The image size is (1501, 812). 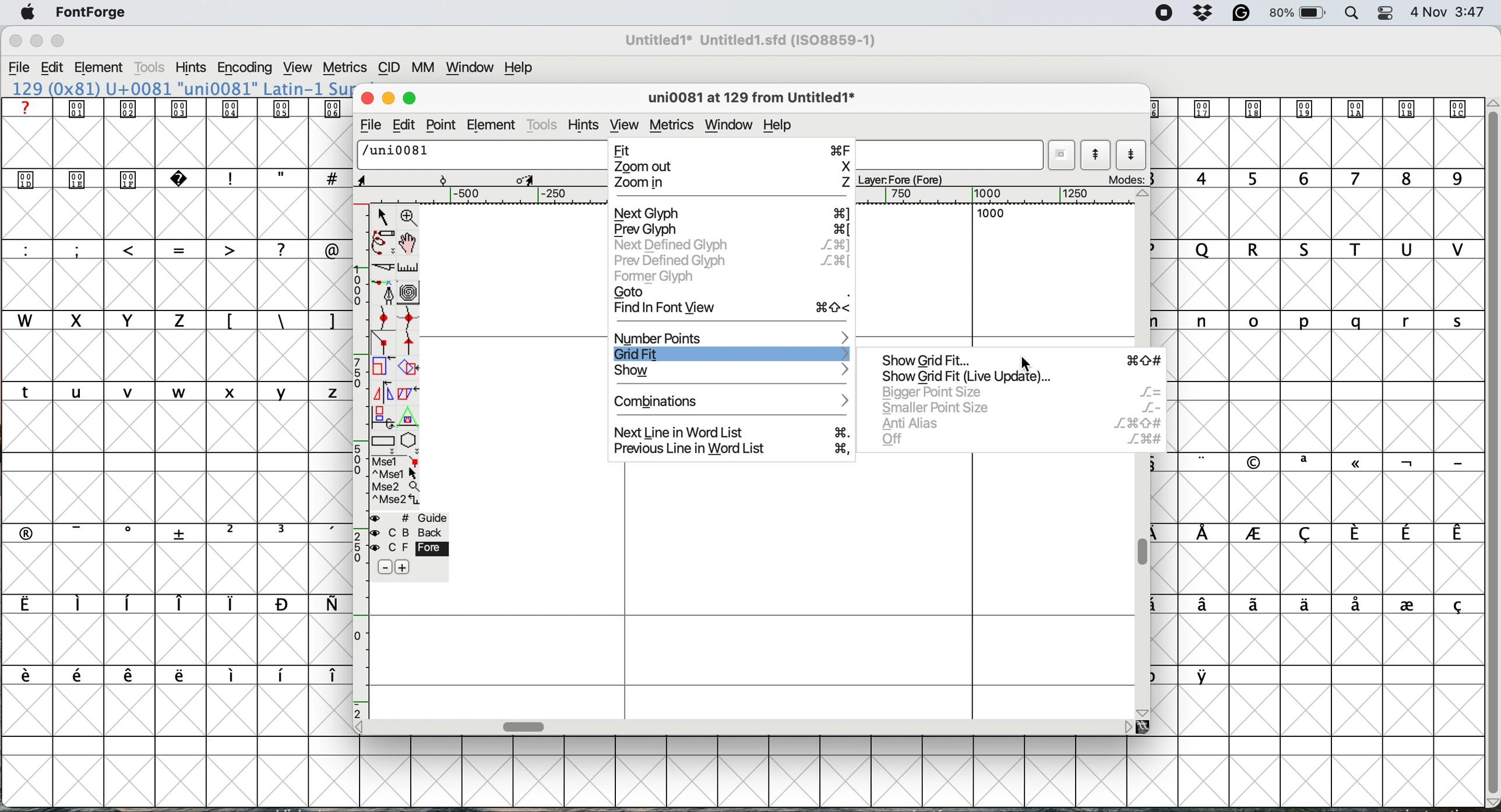 I want to click on 1000, so click(x=991, y=214).